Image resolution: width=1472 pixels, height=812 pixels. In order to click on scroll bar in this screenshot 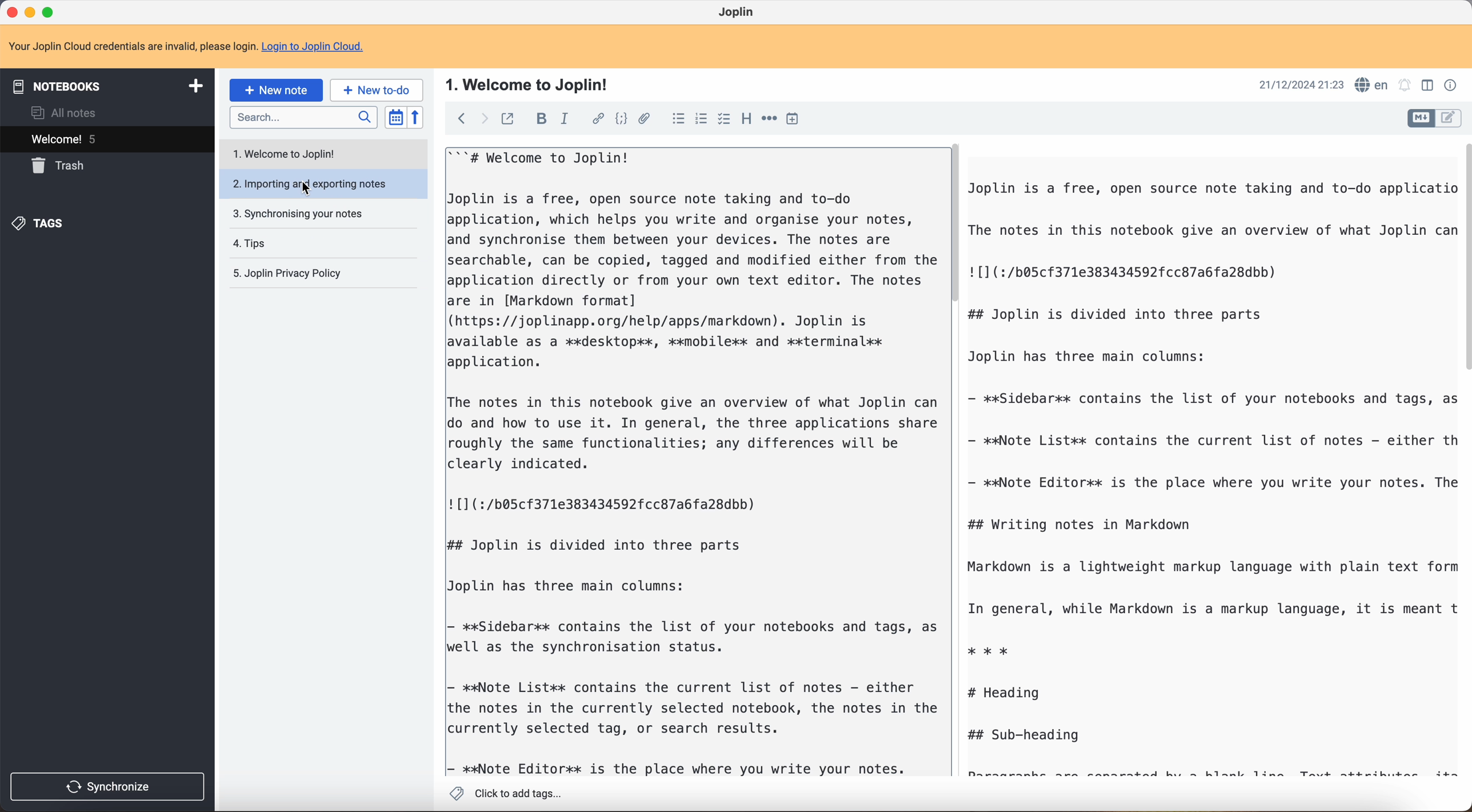, I will do `click(958, 226)`.